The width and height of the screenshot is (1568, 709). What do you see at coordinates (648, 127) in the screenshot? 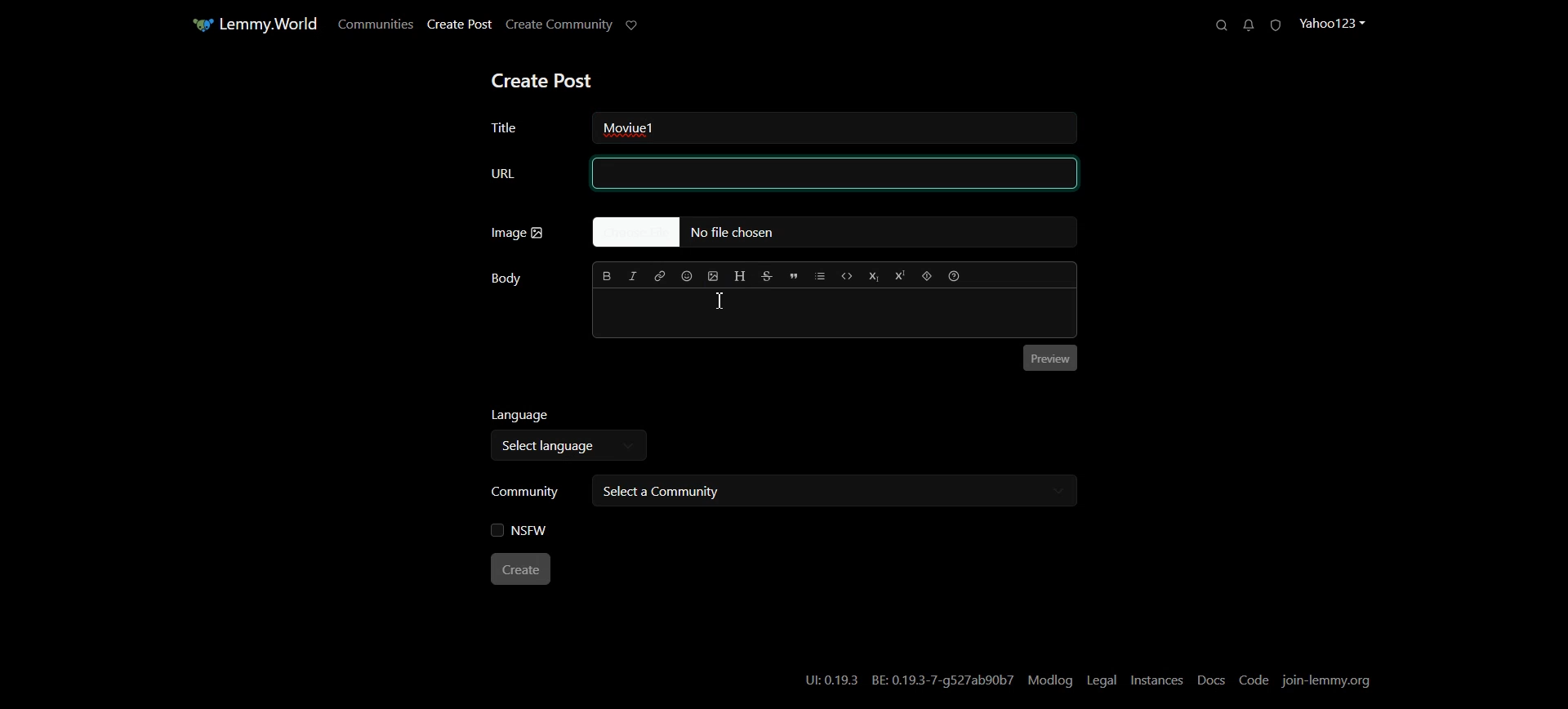
I see `Text` at bounding box center [648, 127].